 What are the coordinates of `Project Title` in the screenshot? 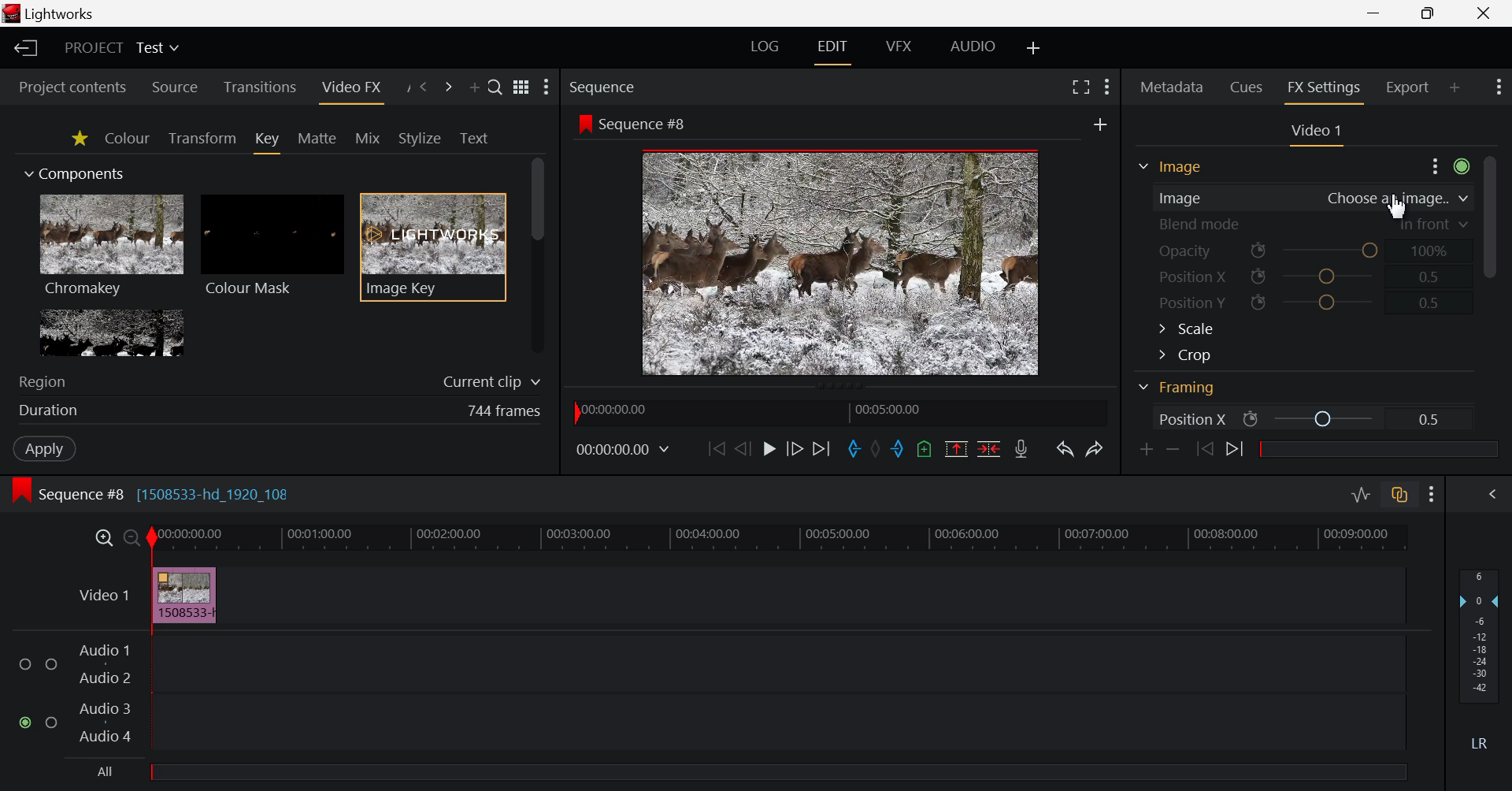 It's located at (121, 47).